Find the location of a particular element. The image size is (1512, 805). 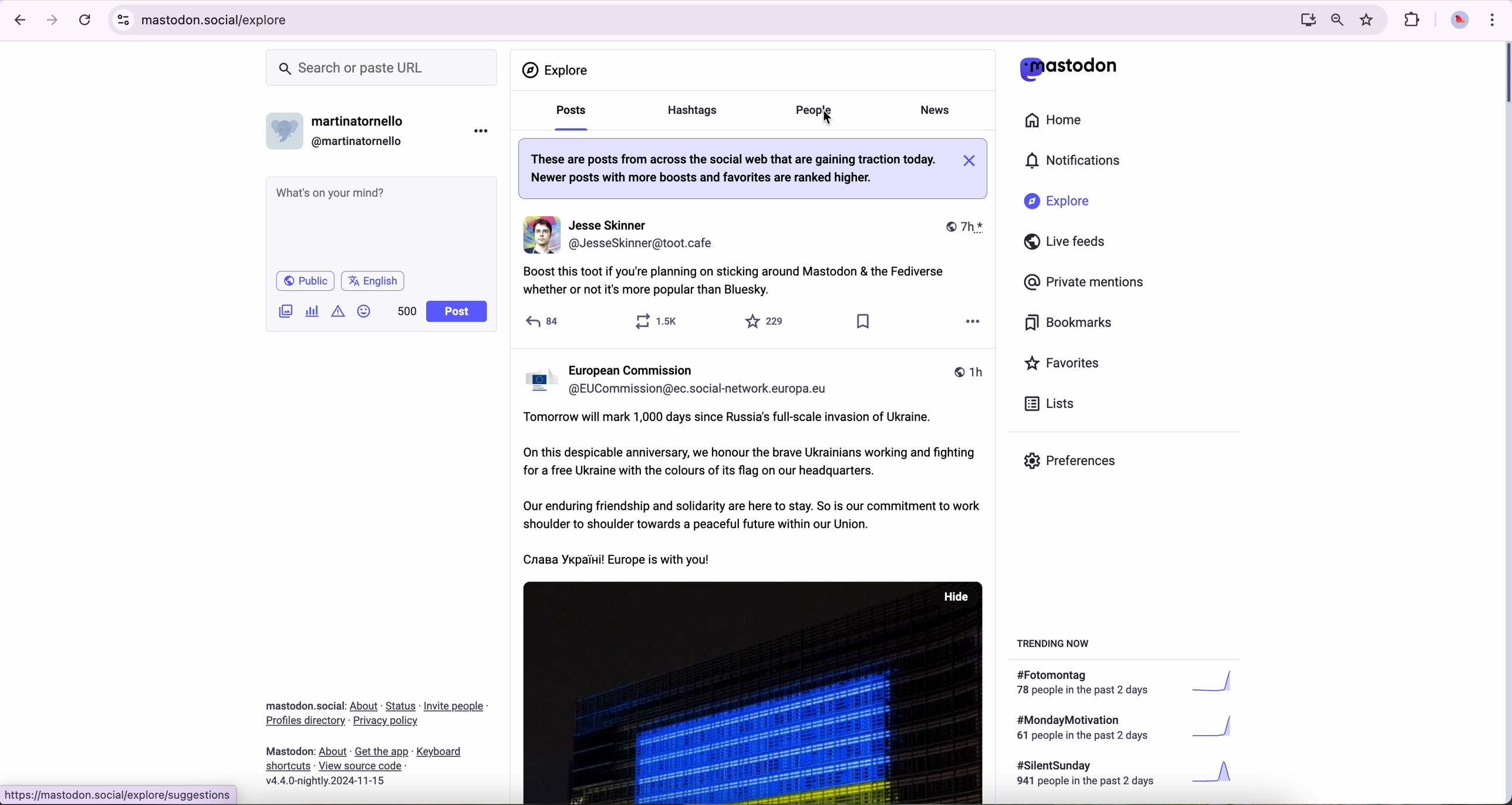

username is located at coordinates (683, 378).